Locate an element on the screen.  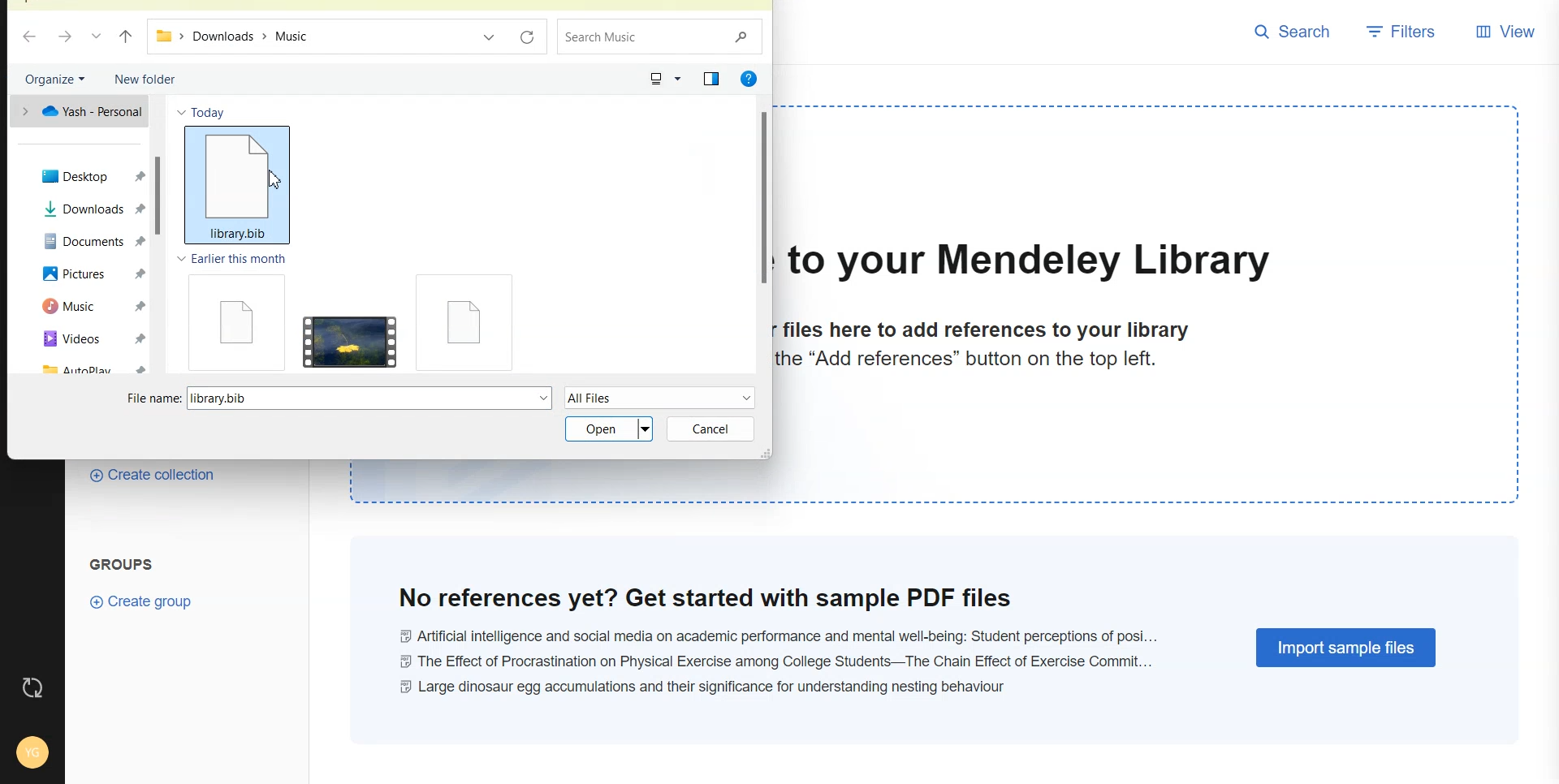
Cursor is located at coordinates (274, 178).